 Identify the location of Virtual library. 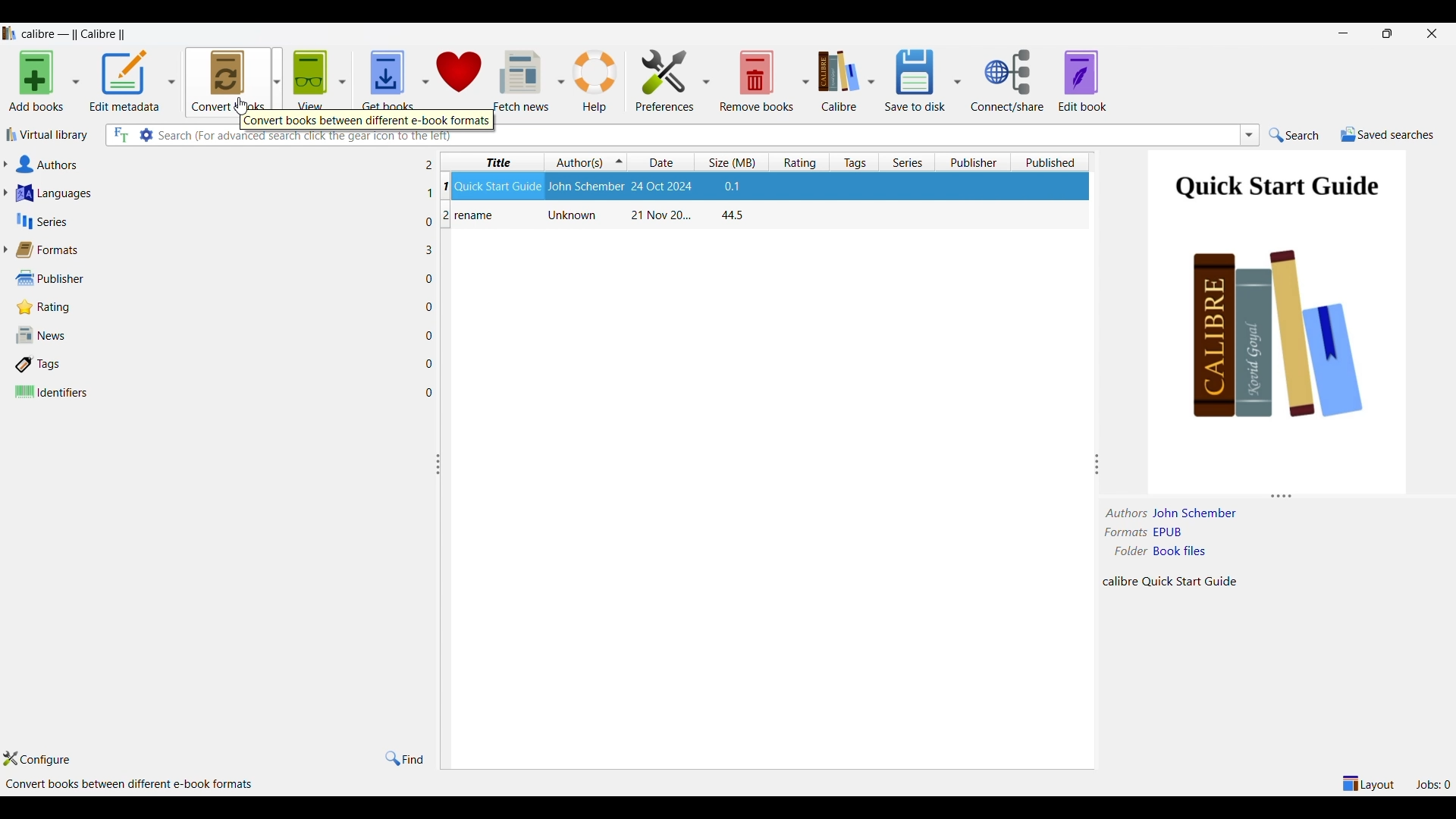
(45, 135).